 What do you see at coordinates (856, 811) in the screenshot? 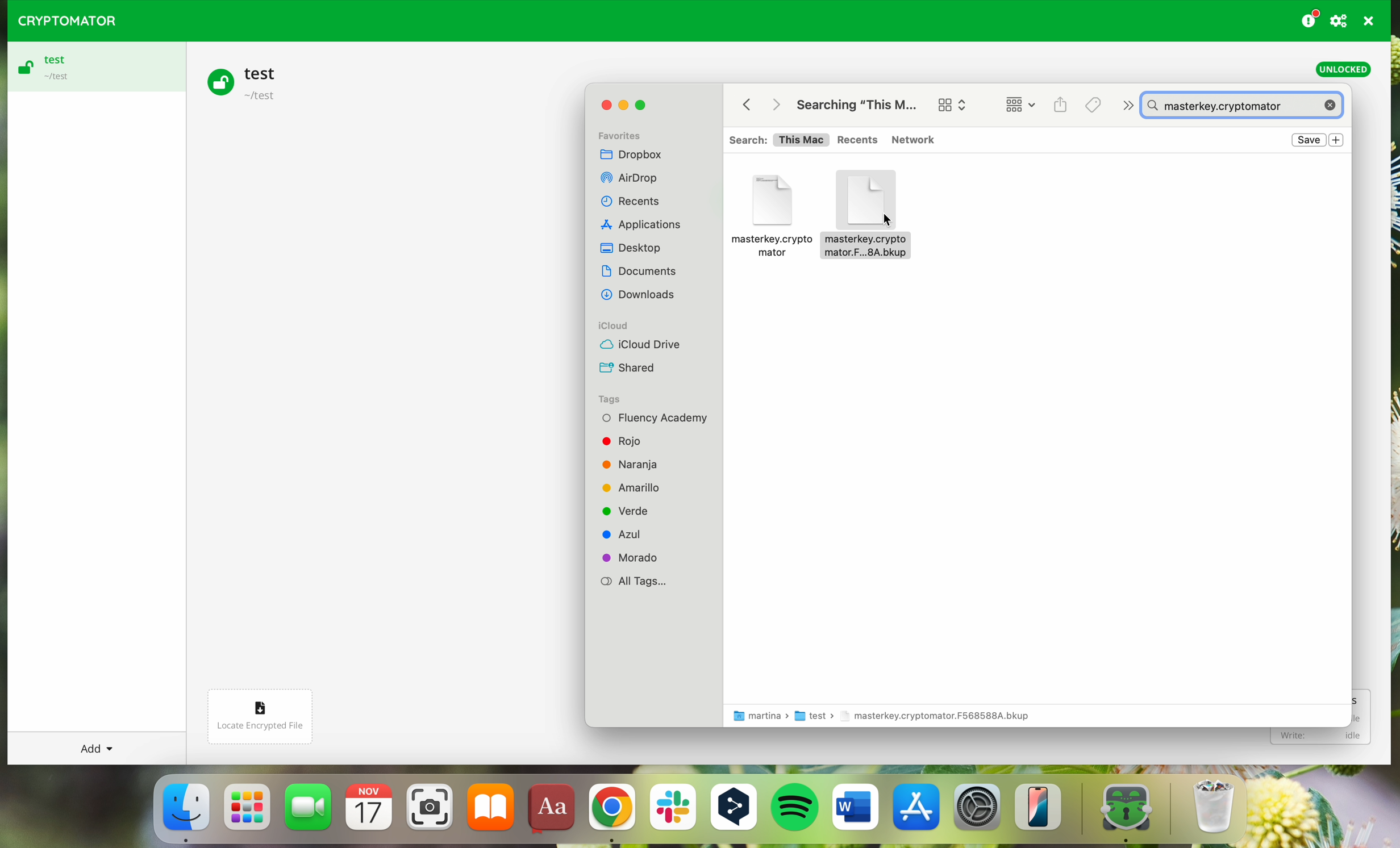
I see `Microsoft Word` at bounding box center [856, 811].